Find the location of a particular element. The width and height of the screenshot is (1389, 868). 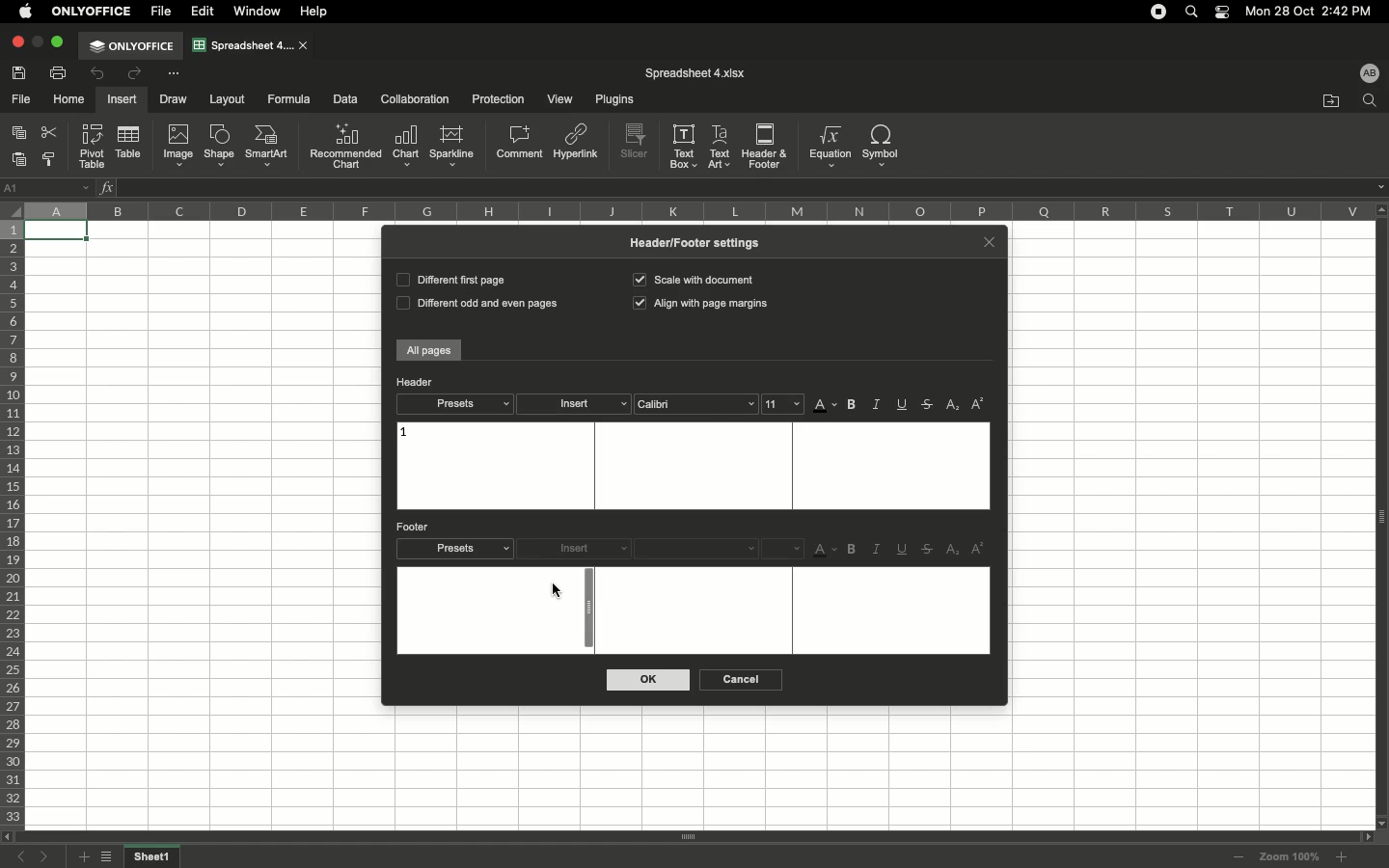

Zoom in is located at coordinates (1341, 857).